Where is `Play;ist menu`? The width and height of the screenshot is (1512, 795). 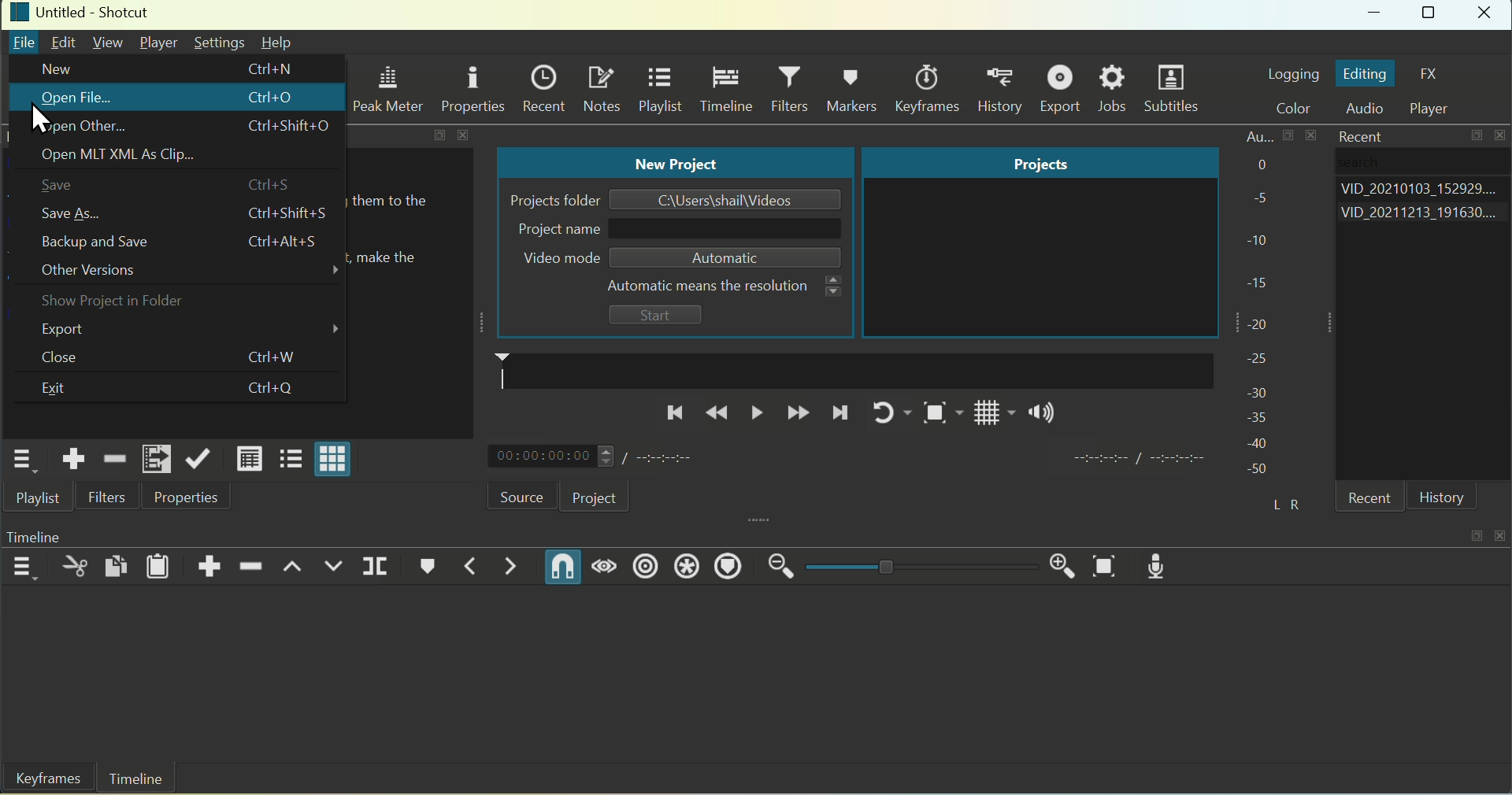
Play;ist menu is located at coordinates (20, 460).